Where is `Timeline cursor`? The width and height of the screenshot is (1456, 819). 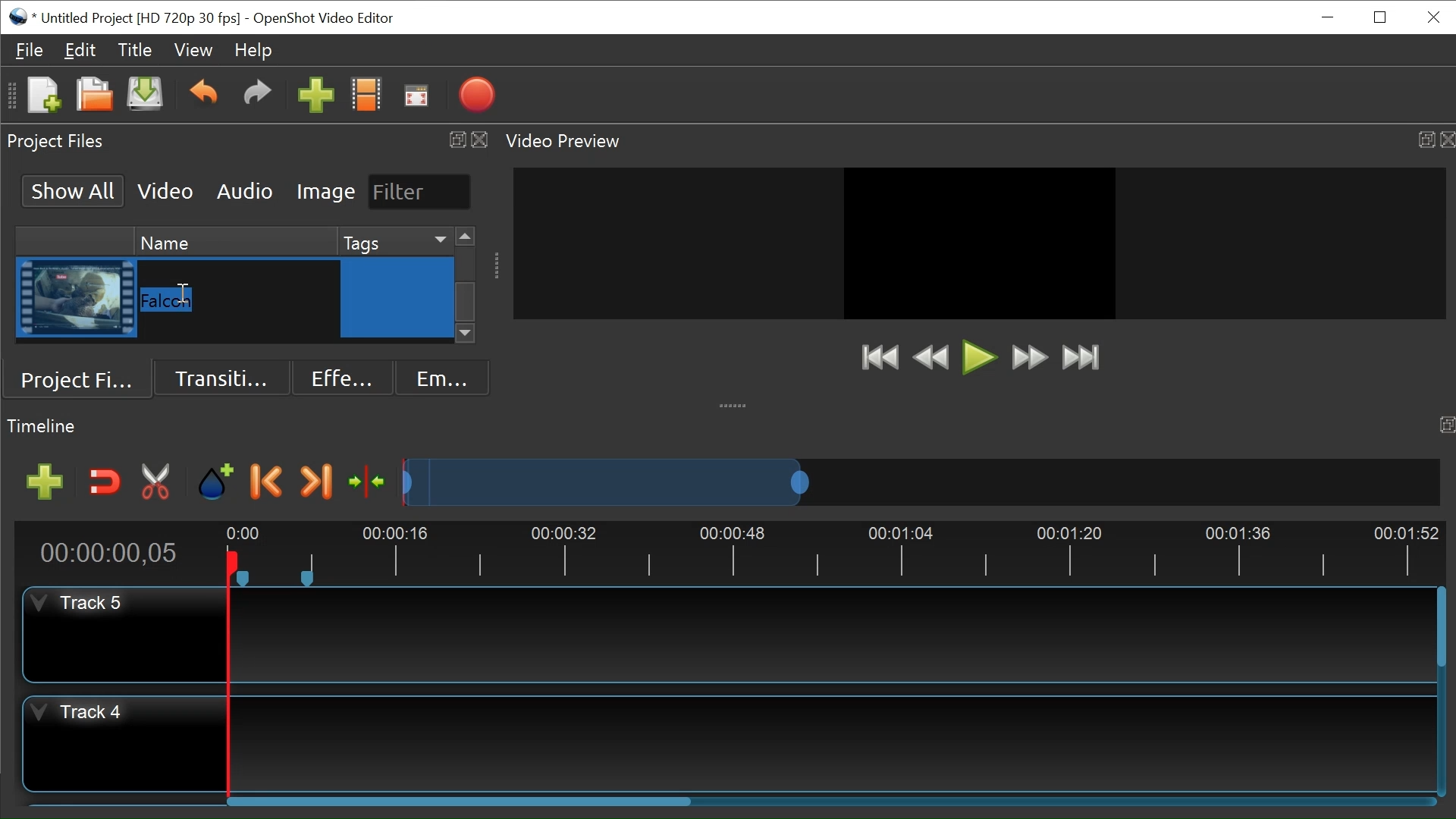
Timeline cursor is located at coordinates (227, 676).